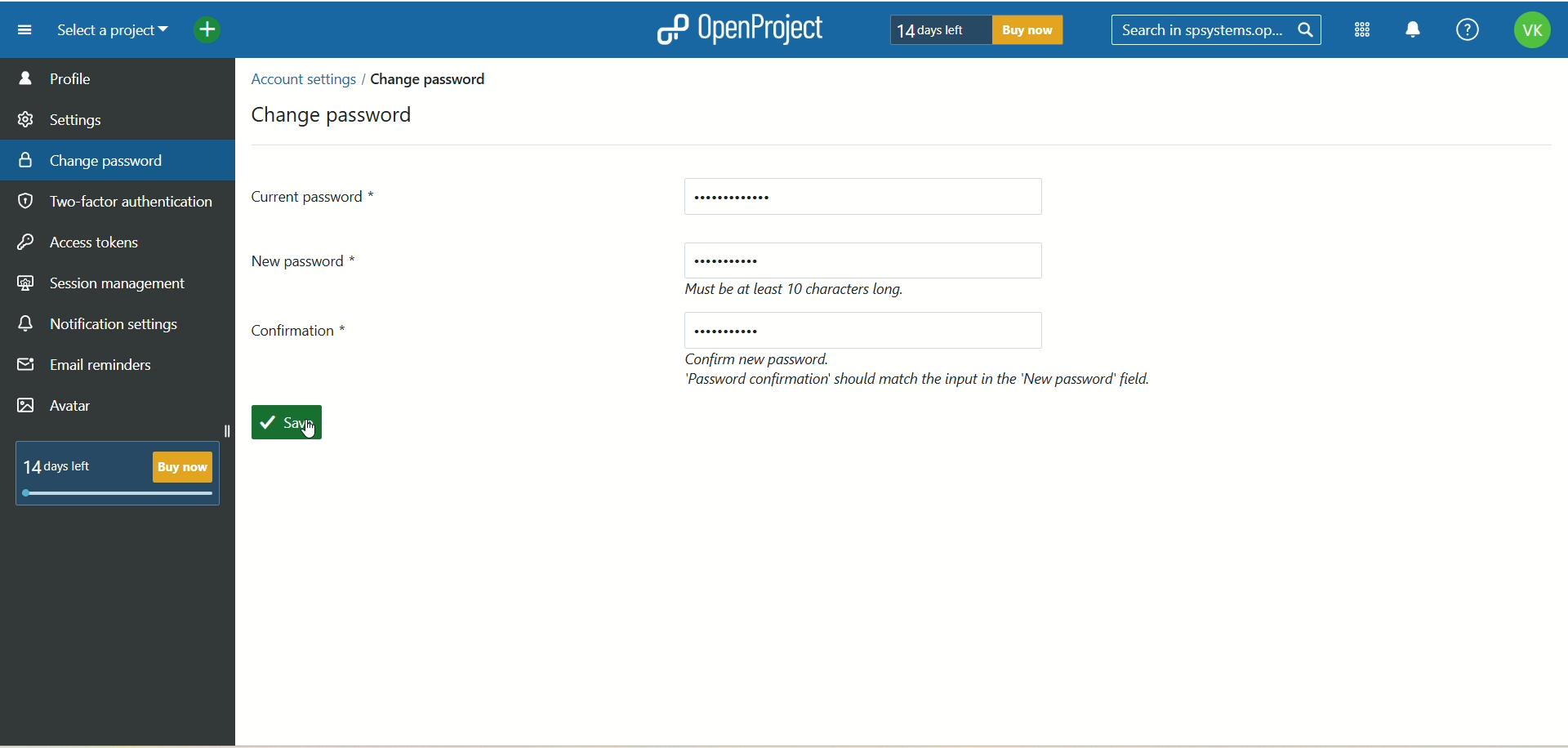 The width and height of the screenshot is (1568, 748). What do you see at coordinates (971, 29) in the screenshot?
I see `text` at bounding box center [971, 29].